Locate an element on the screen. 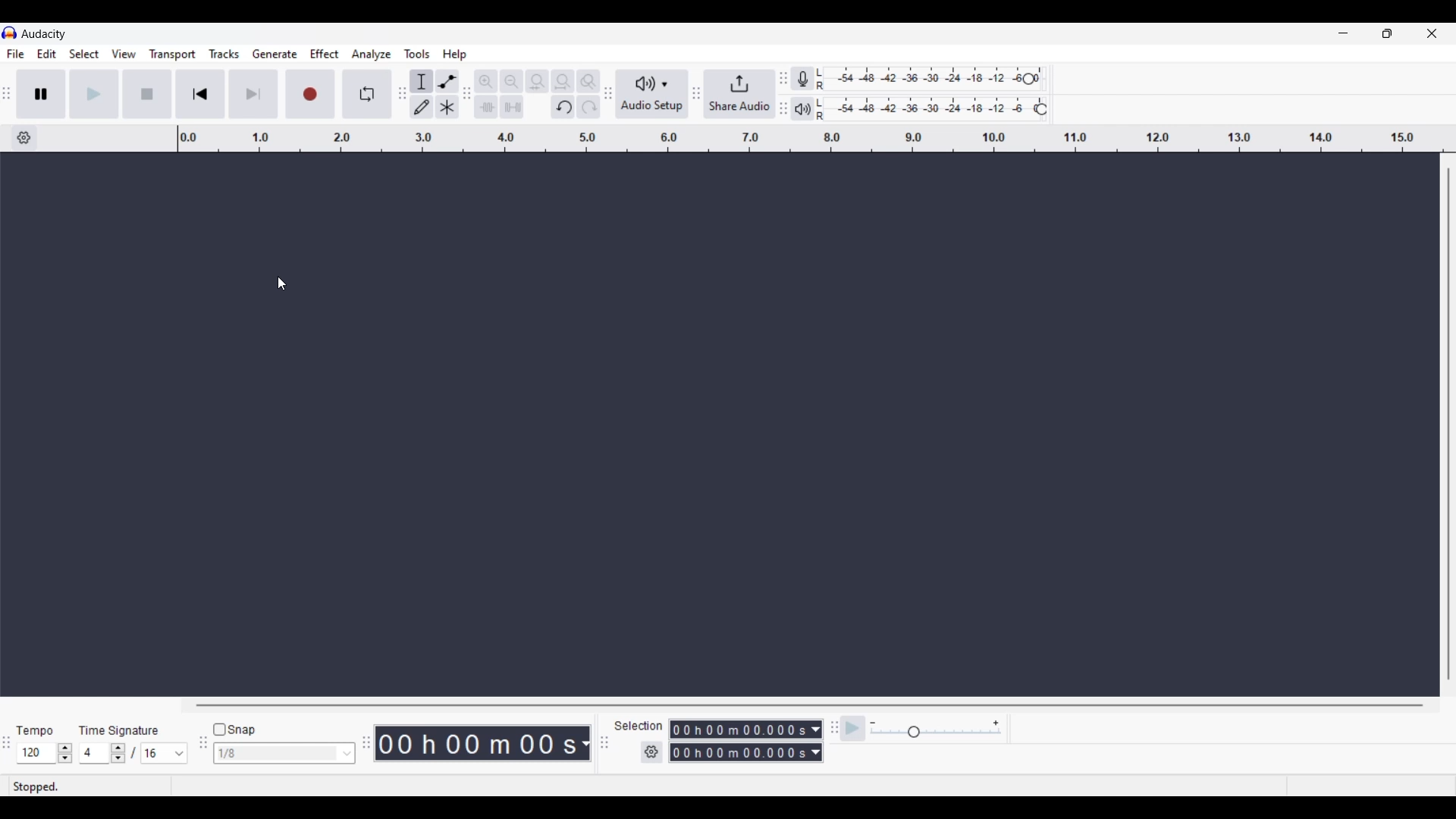 The height and width of the screenshot is (819, 1456). Shows recorded duration is located at coordinates (477, 743).